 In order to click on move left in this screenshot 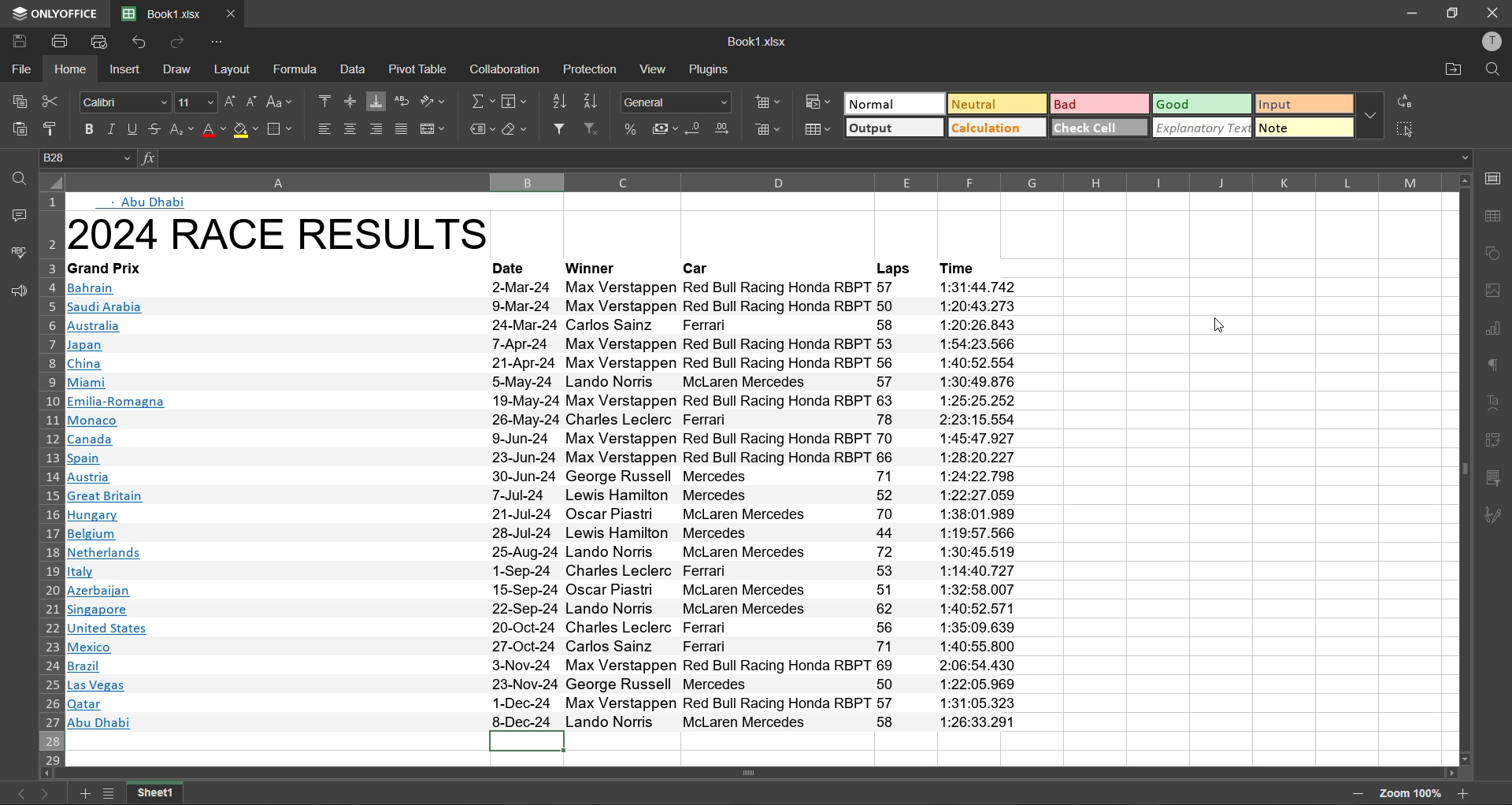, I will do `click(47, 775)`.